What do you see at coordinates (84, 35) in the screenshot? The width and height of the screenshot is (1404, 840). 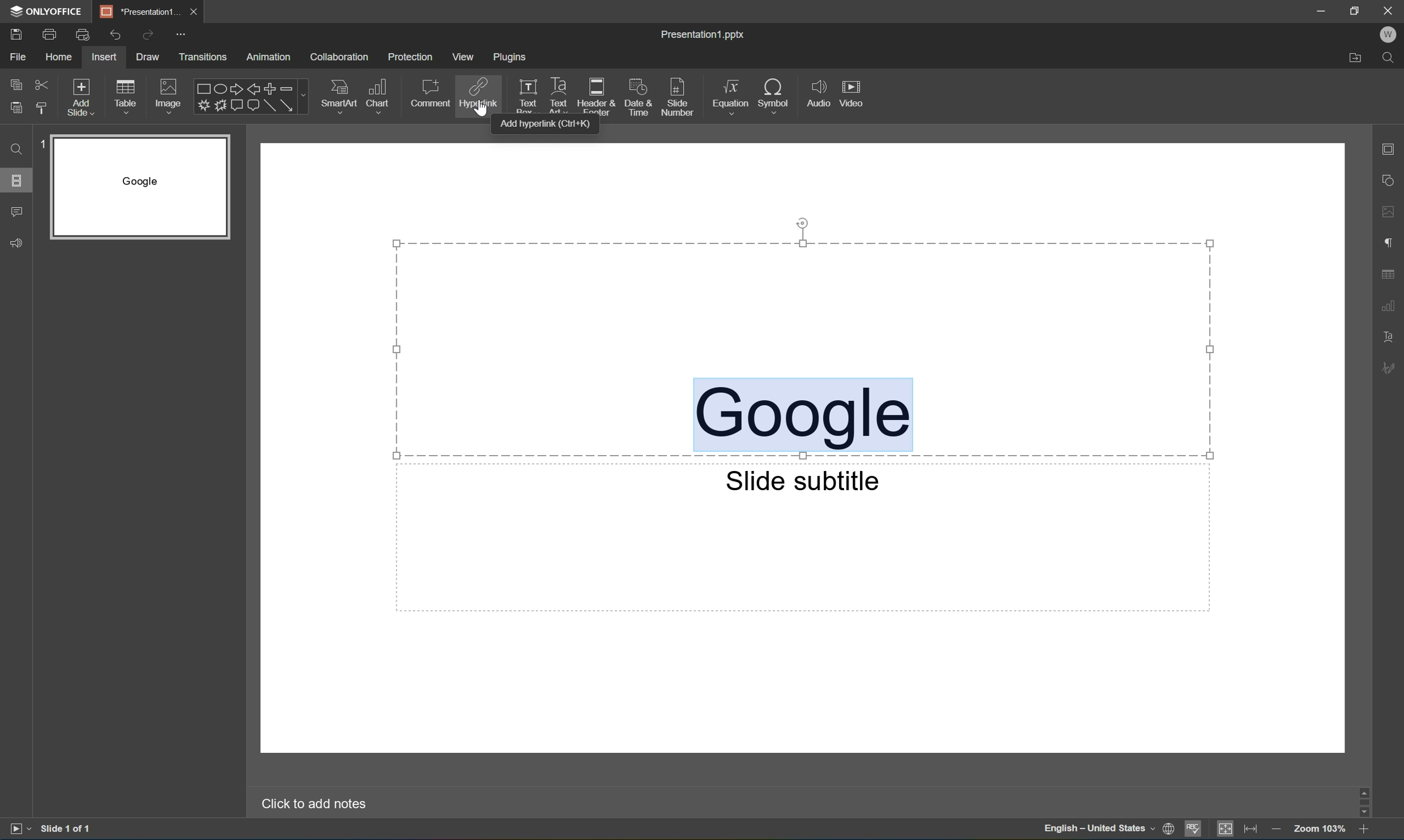 I see `Quick print` at bounding box center [84, 35].